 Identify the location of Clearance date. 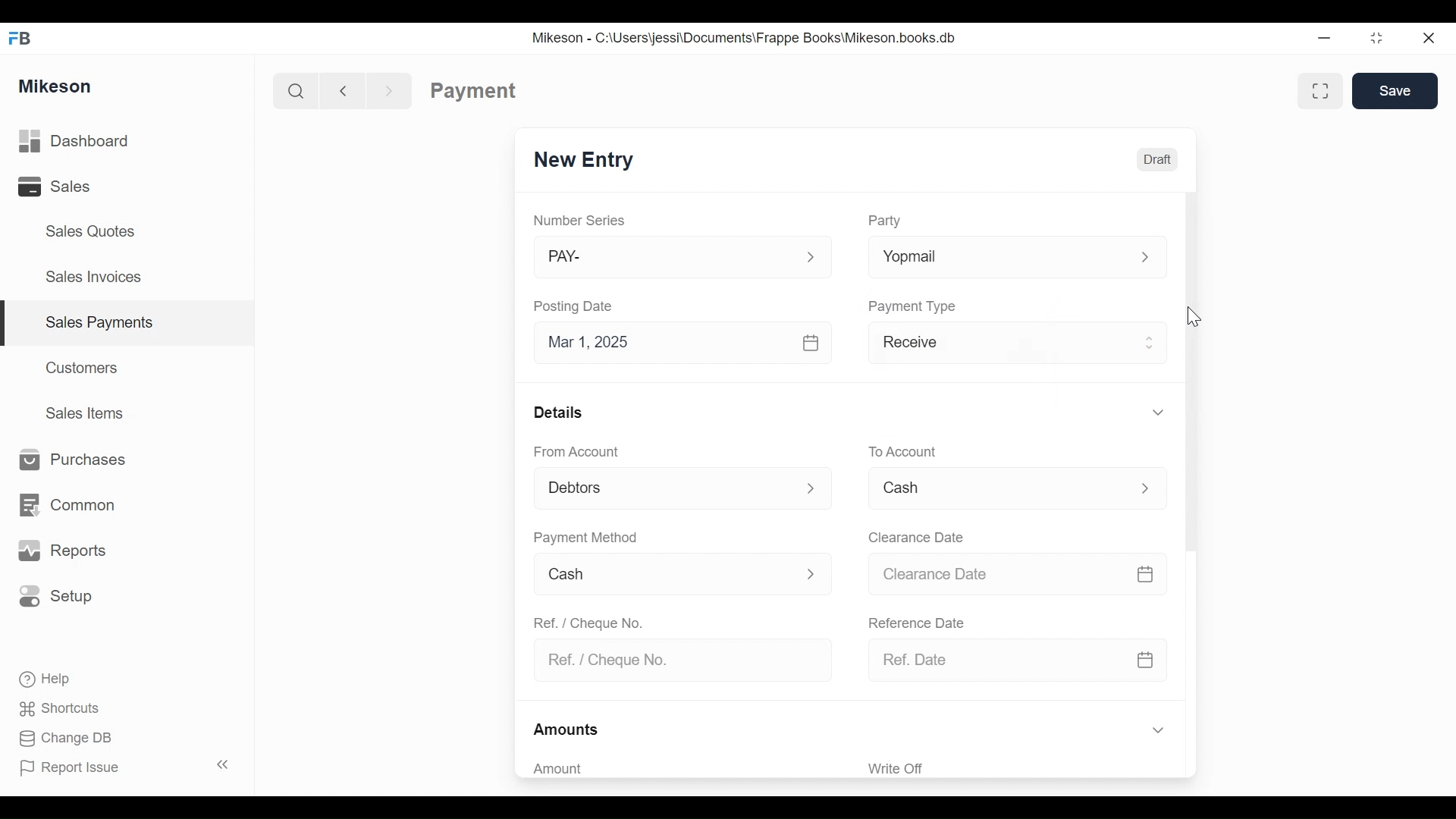
(921, 536).